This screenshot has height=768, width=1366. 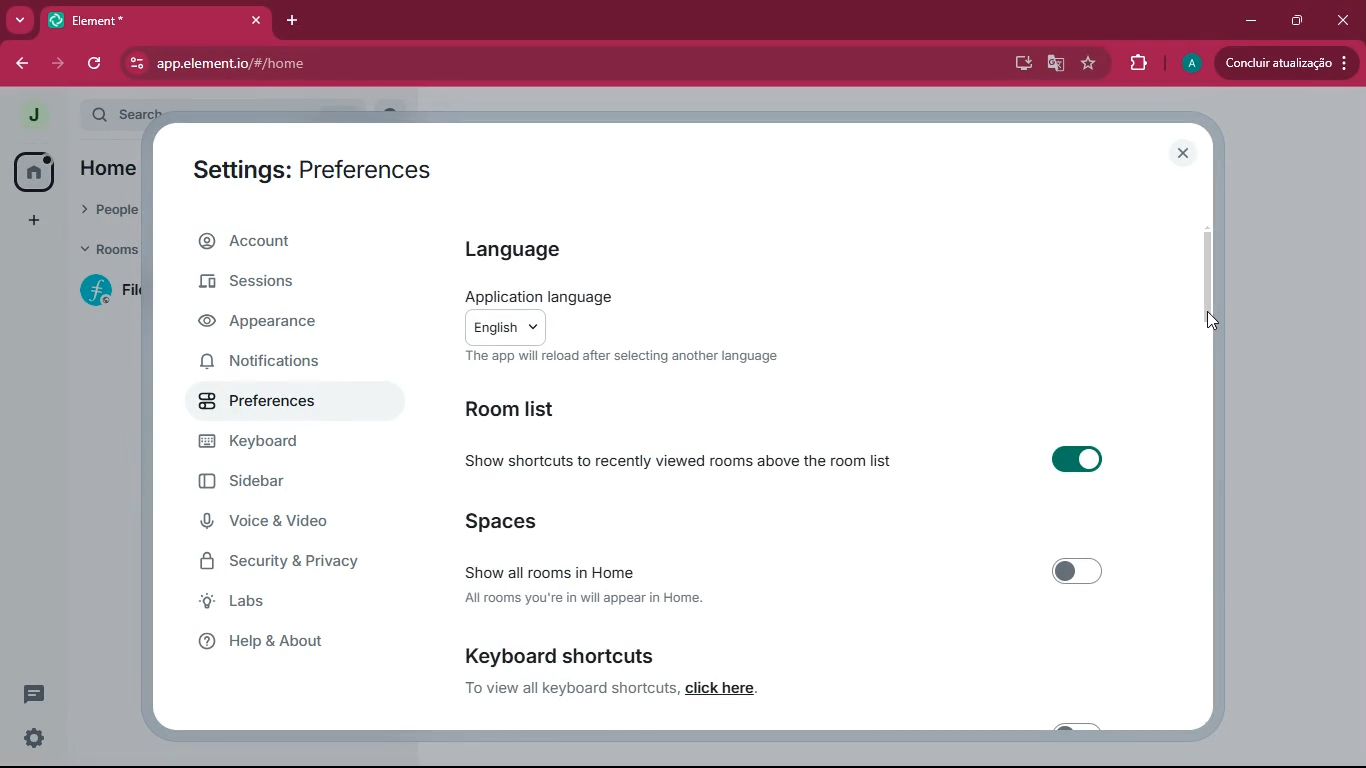 What do you see at coordinates (22, 63) in the screenshot?
I see `back` at bounding box center [22, 63].